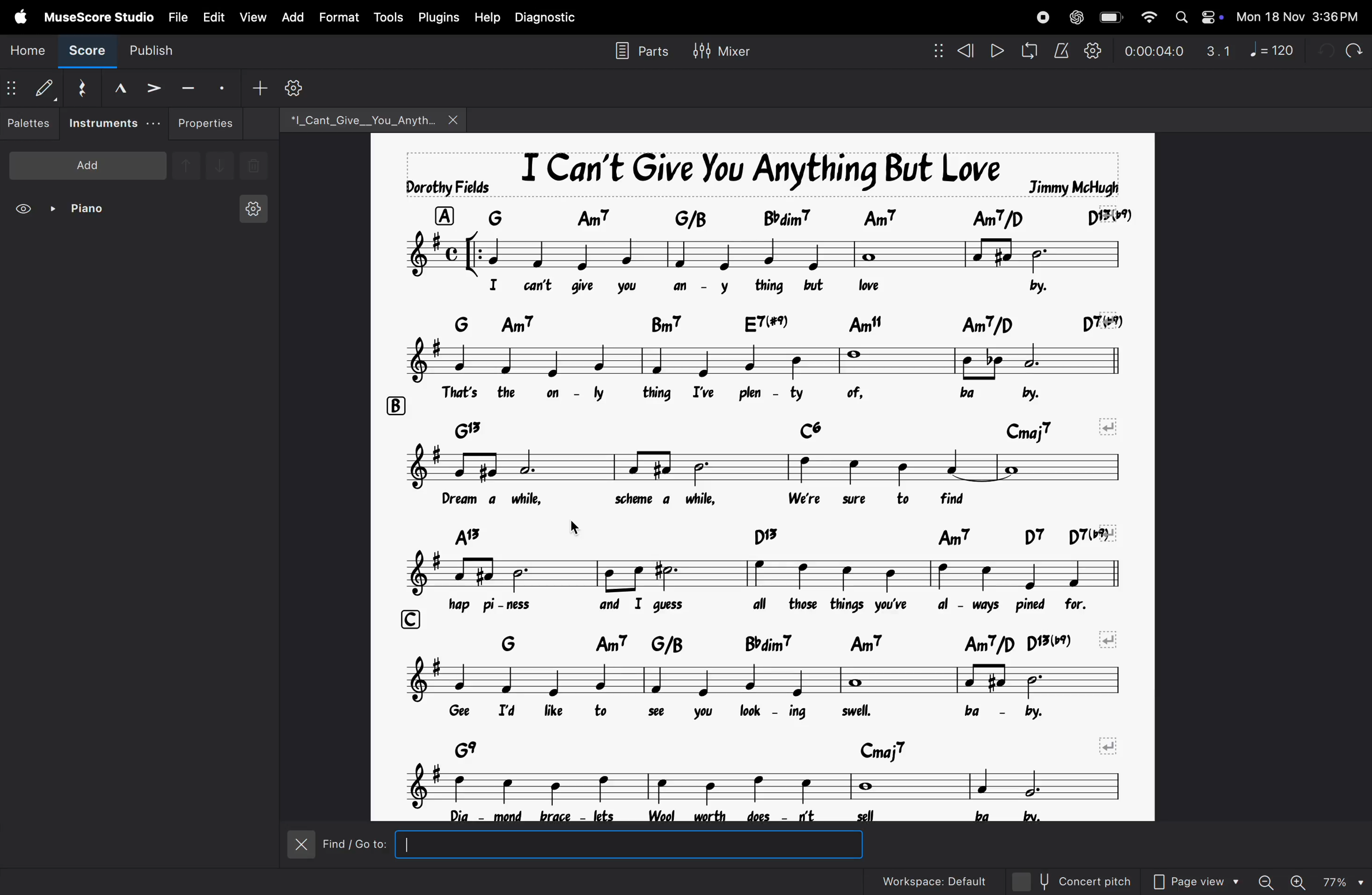 The height and width of the screenshot is (895, 1372). I want to click on notes, so click(768, 574).